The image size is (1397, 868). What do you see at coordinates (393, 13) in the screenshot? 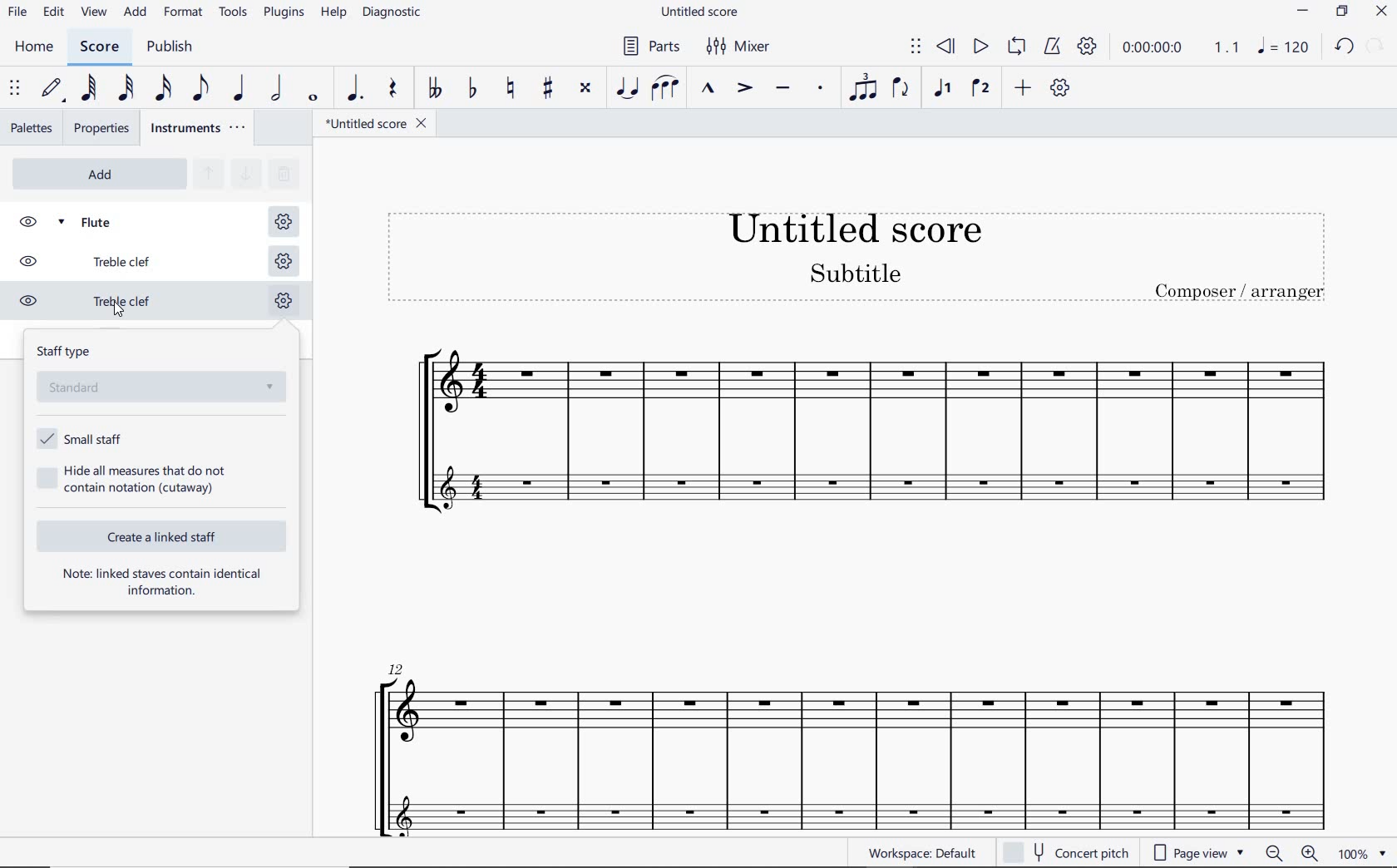
I see `DIAGNOSTIC` at bounding box center [393, 13].